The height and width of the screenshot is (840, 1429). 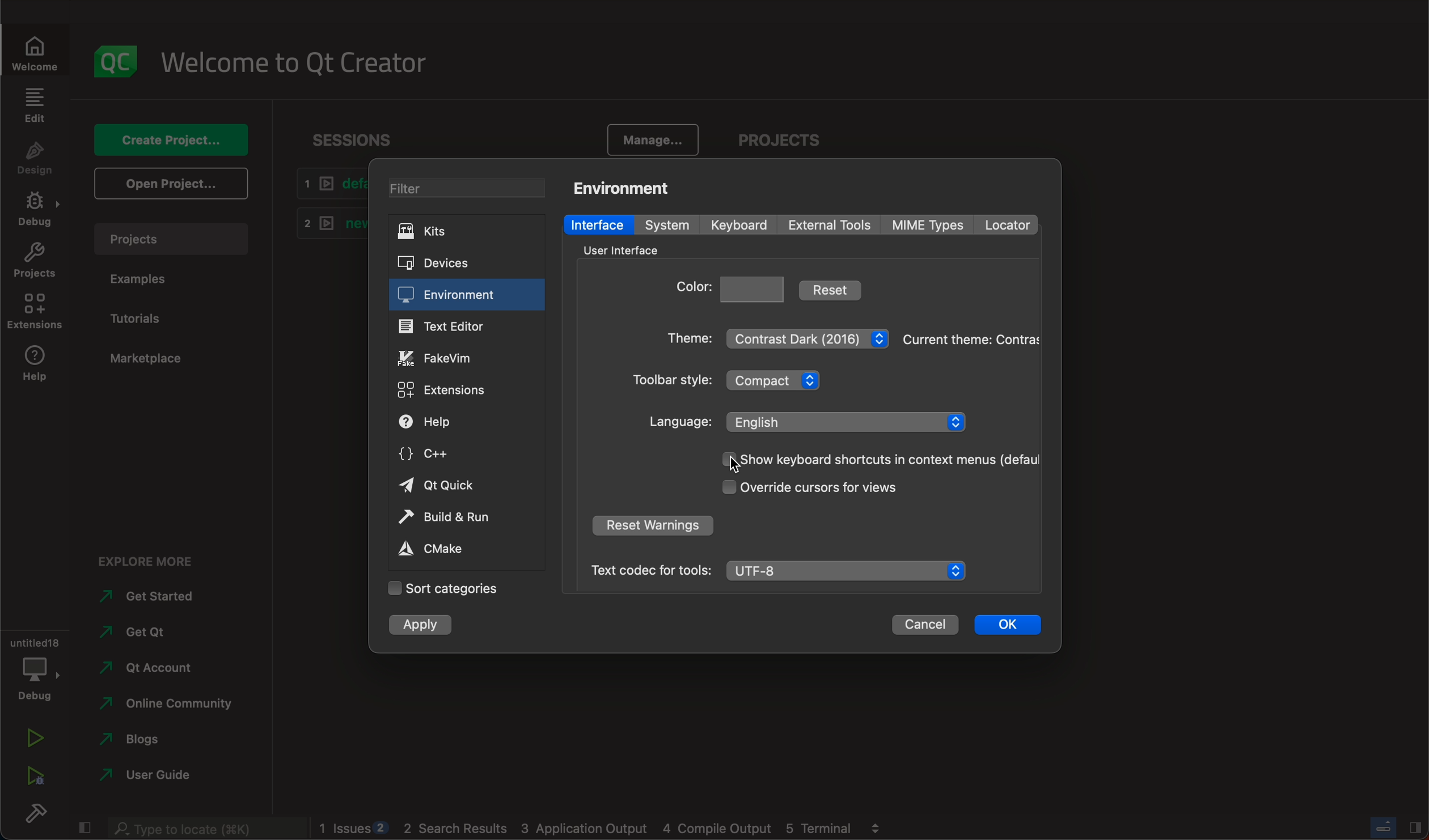 I want to click on run debug, so click(x=33, y=777).